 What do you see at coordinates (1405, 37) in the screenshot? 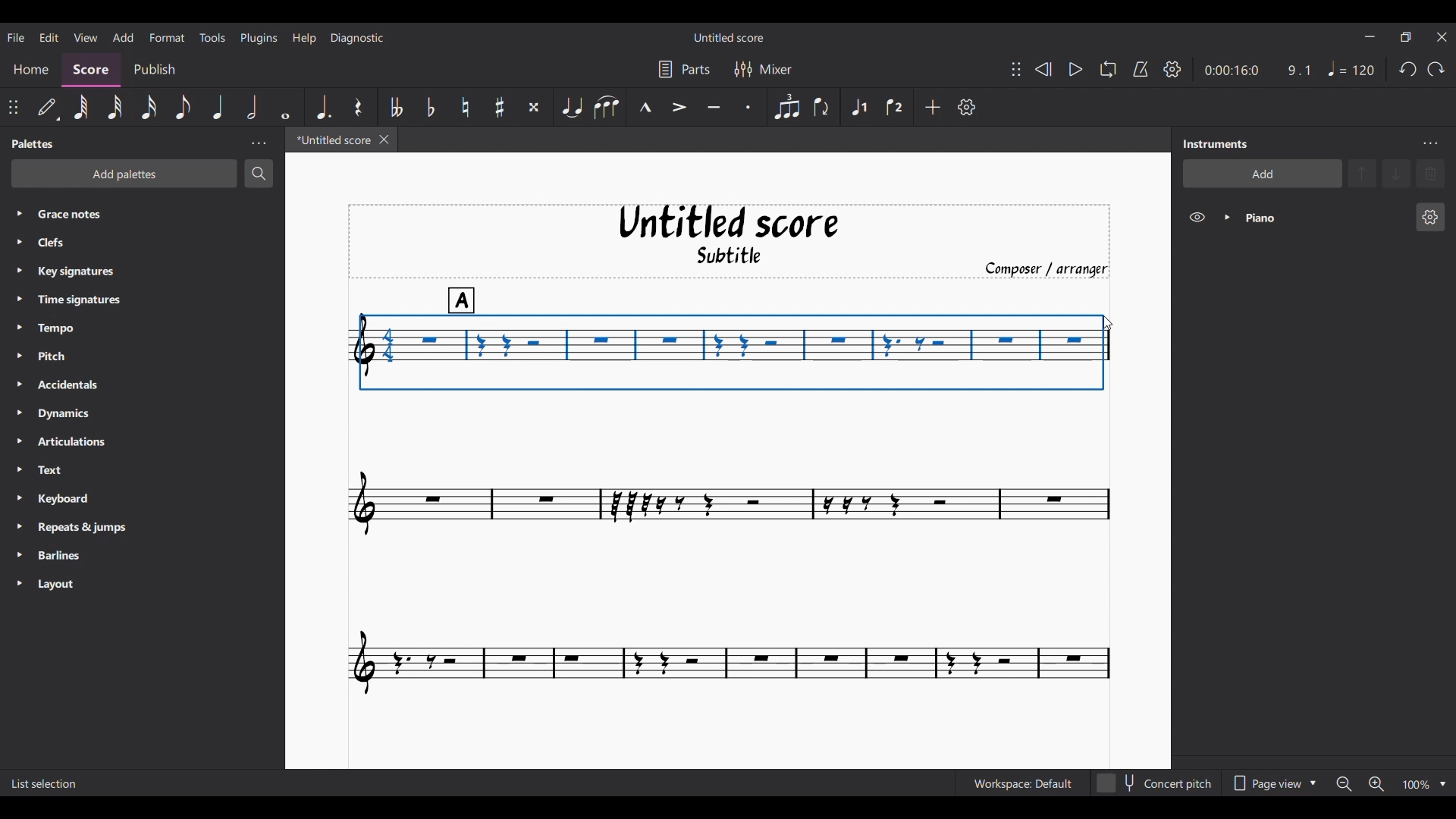
I see `Show in a smaller interface` at bounding box center [1405, 37].